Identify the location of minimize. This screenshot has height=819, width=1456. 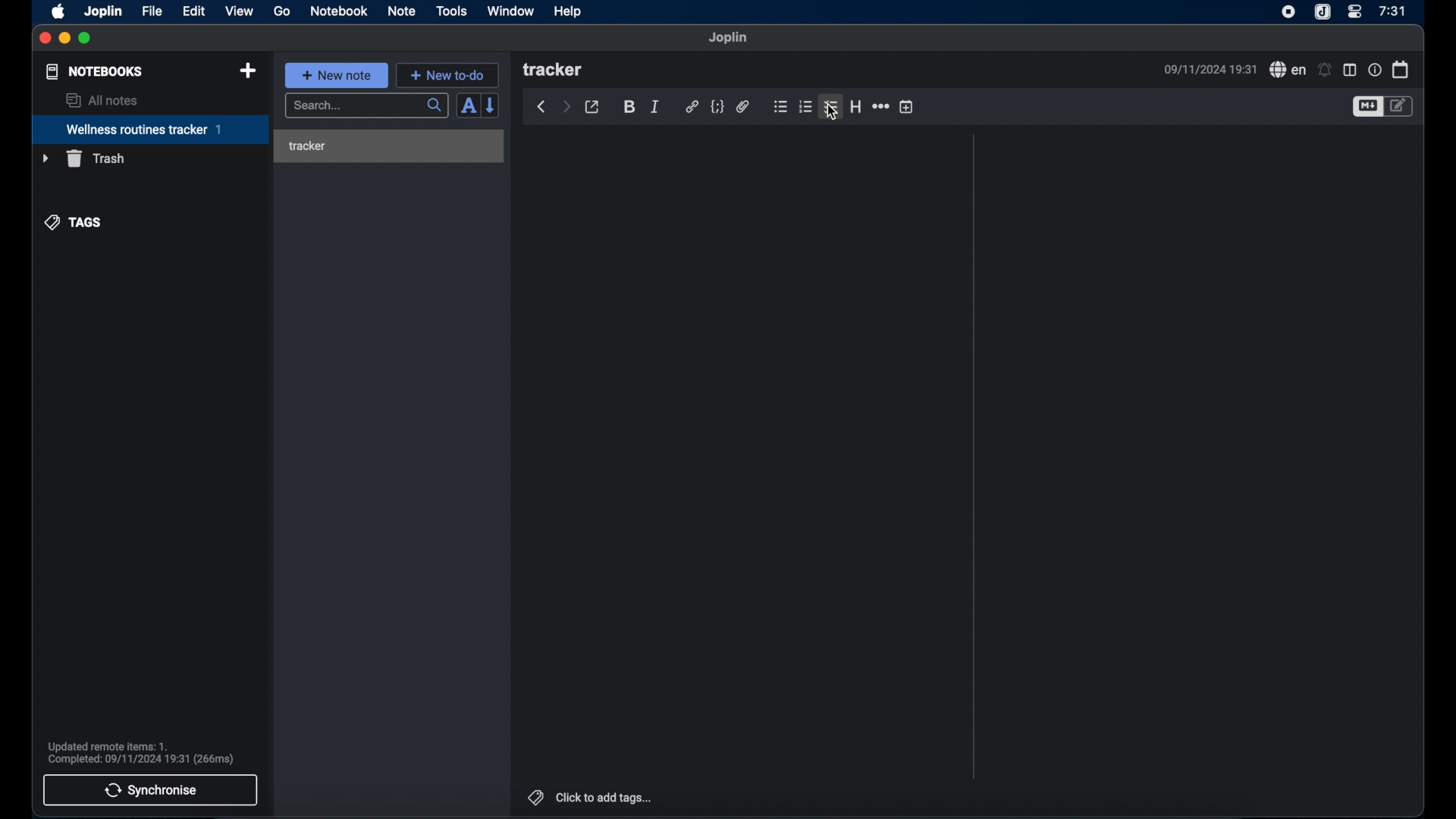
(65, 39).